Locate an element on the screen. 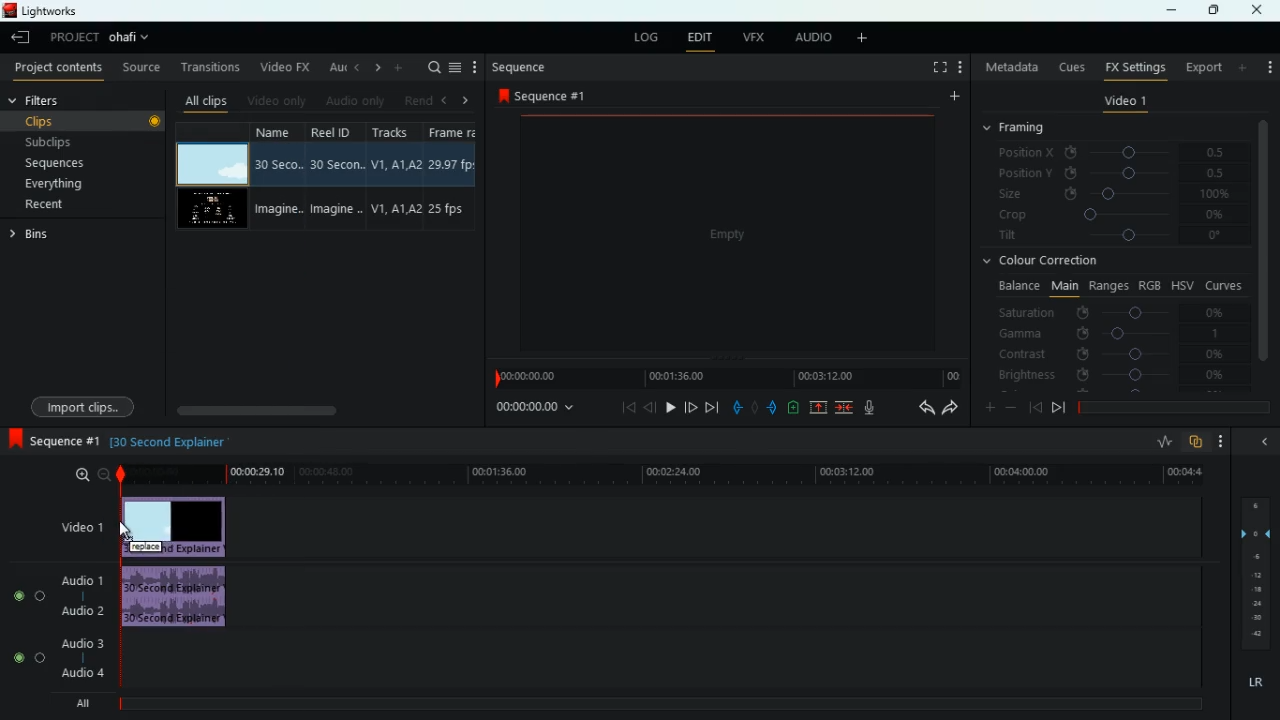 The image size is (1280, 720). sequences is located at coordinates (66, 165).